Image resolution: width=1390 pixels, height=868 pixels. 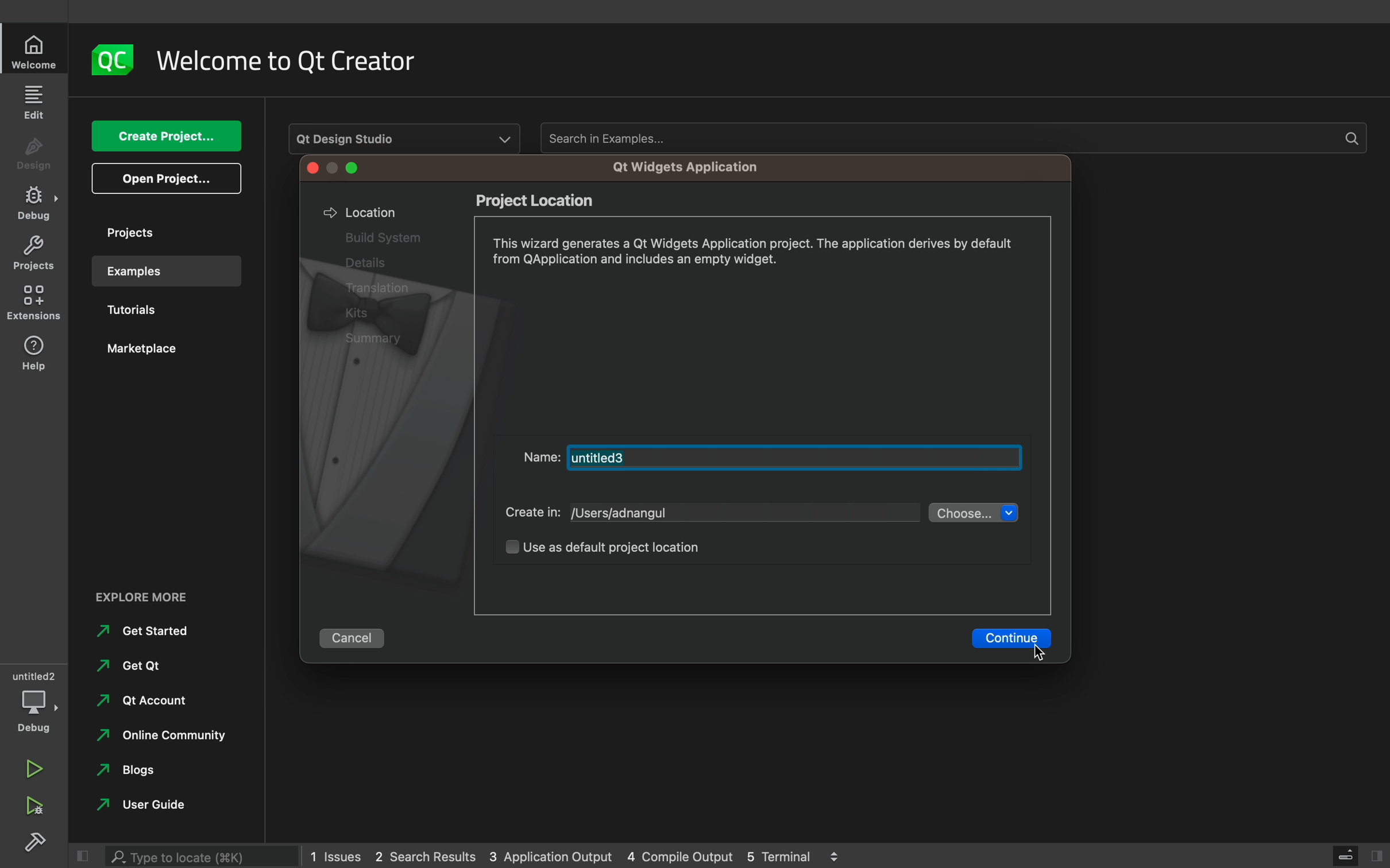 What do you see at coordinates (614, 549) in the screenshot?
I see `use as default project location` at bounding box center [614, 549].